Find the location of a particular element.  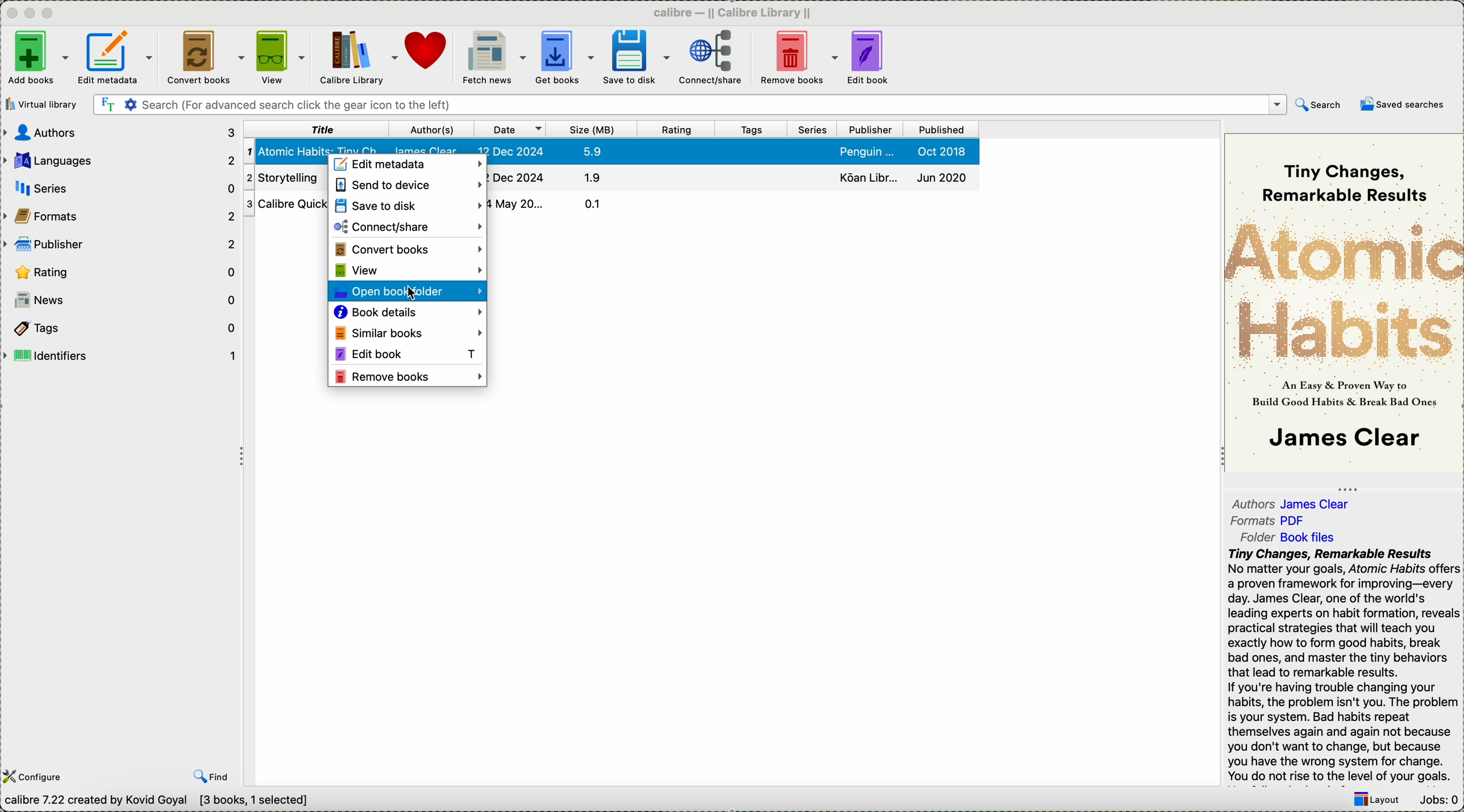

identifiers is located at coordinates (120, 356).